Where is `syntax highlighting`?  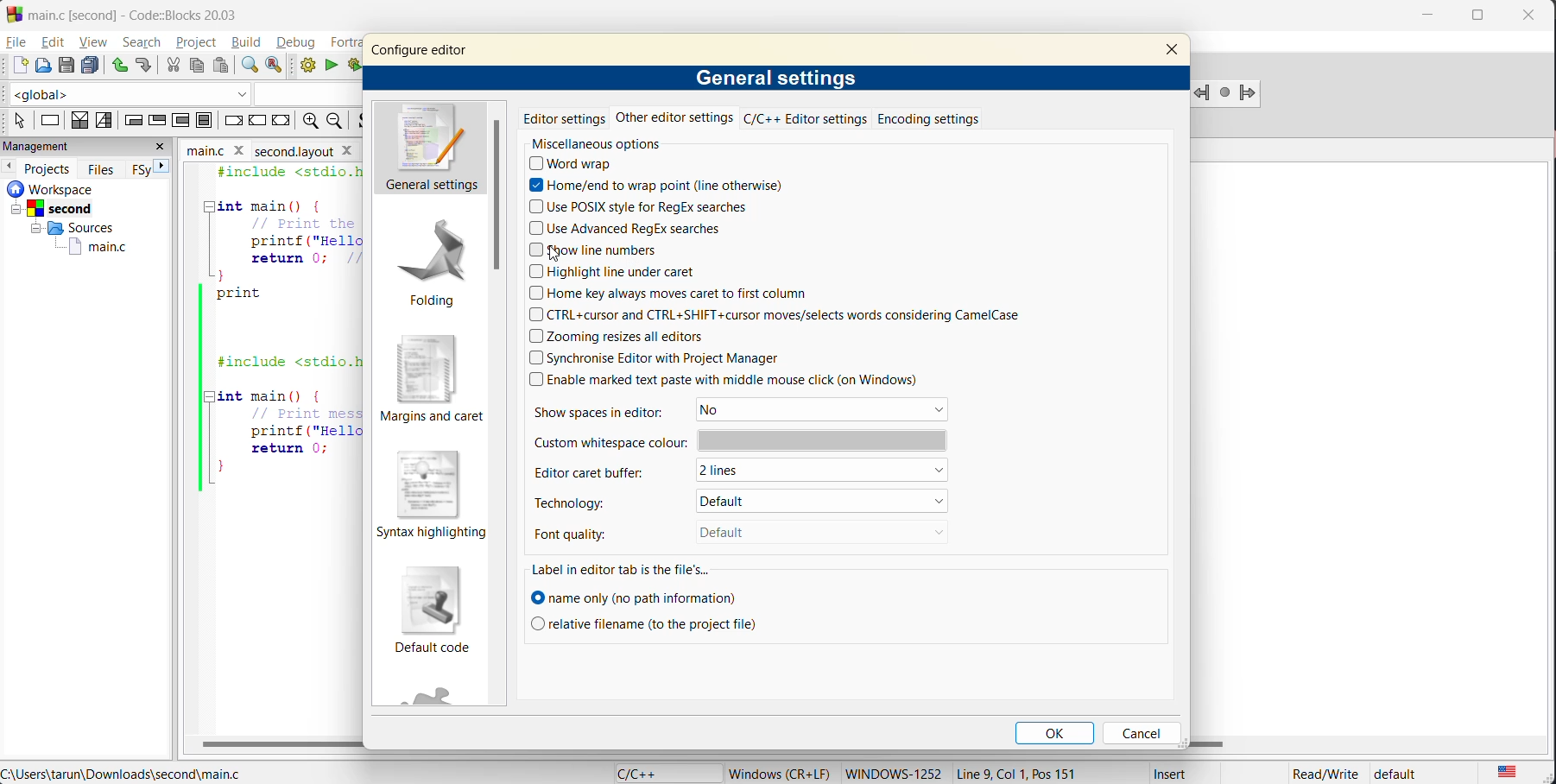 syntax highlighting is located at coordinates (431, 495).